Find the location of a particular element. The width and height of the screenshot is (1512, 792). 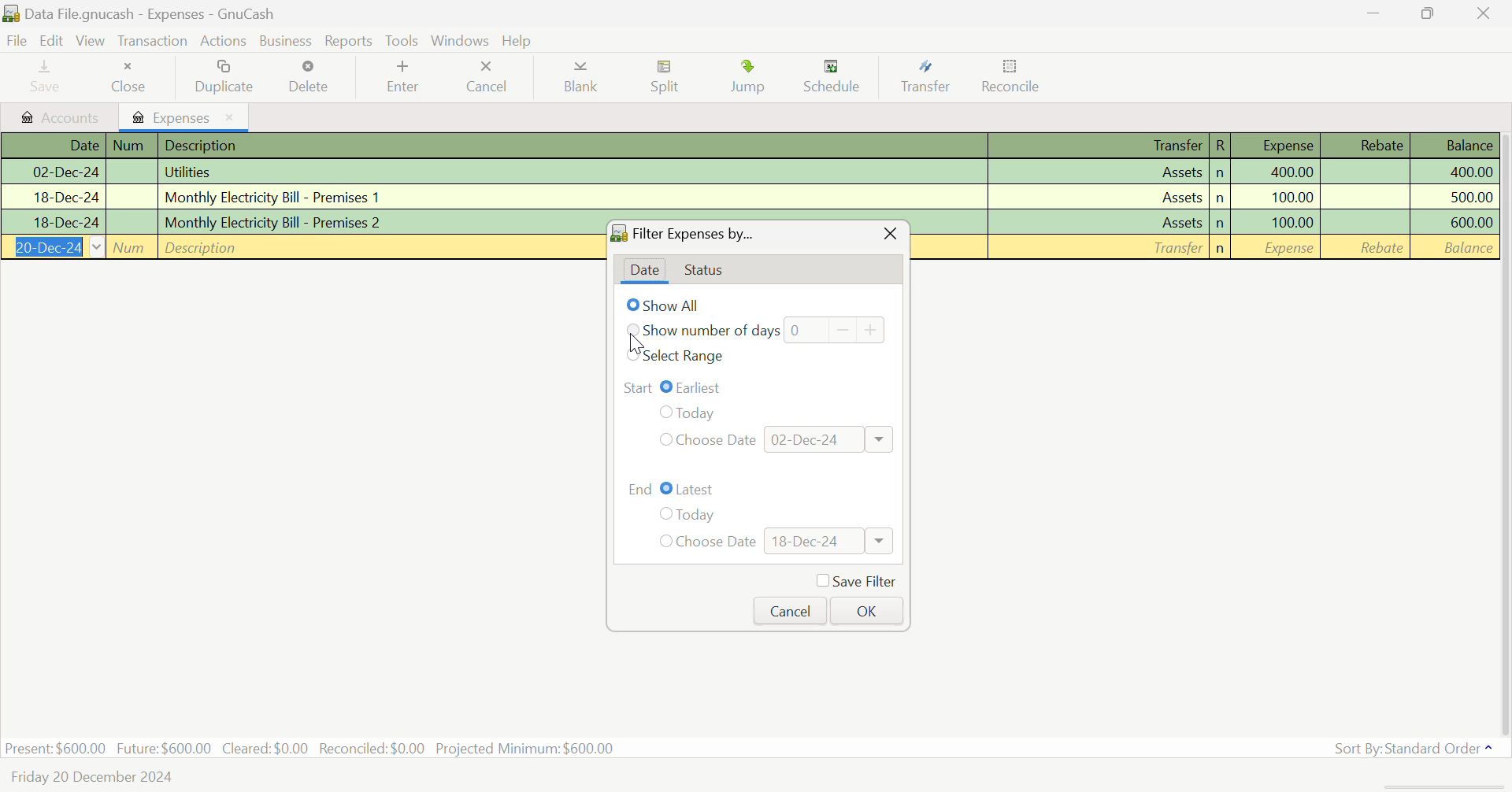

Data File.gnucash - Expenses - GnuCash is located at coordinates (141, 13).